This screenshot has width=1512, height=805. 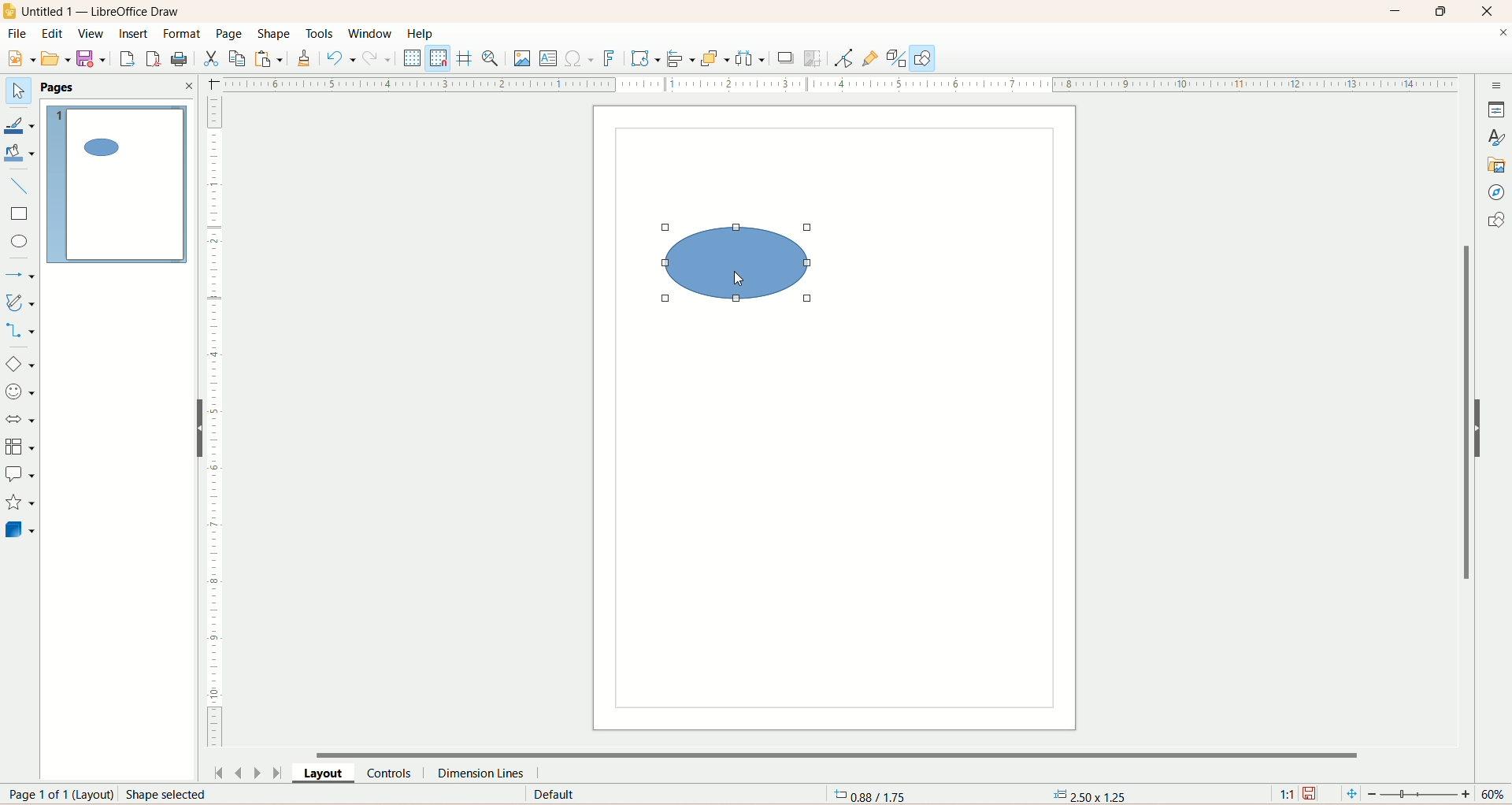 What do you see at coordinates (738, 261) in the screenshot?
I see `shape selected` at bounding box center [738, 261].